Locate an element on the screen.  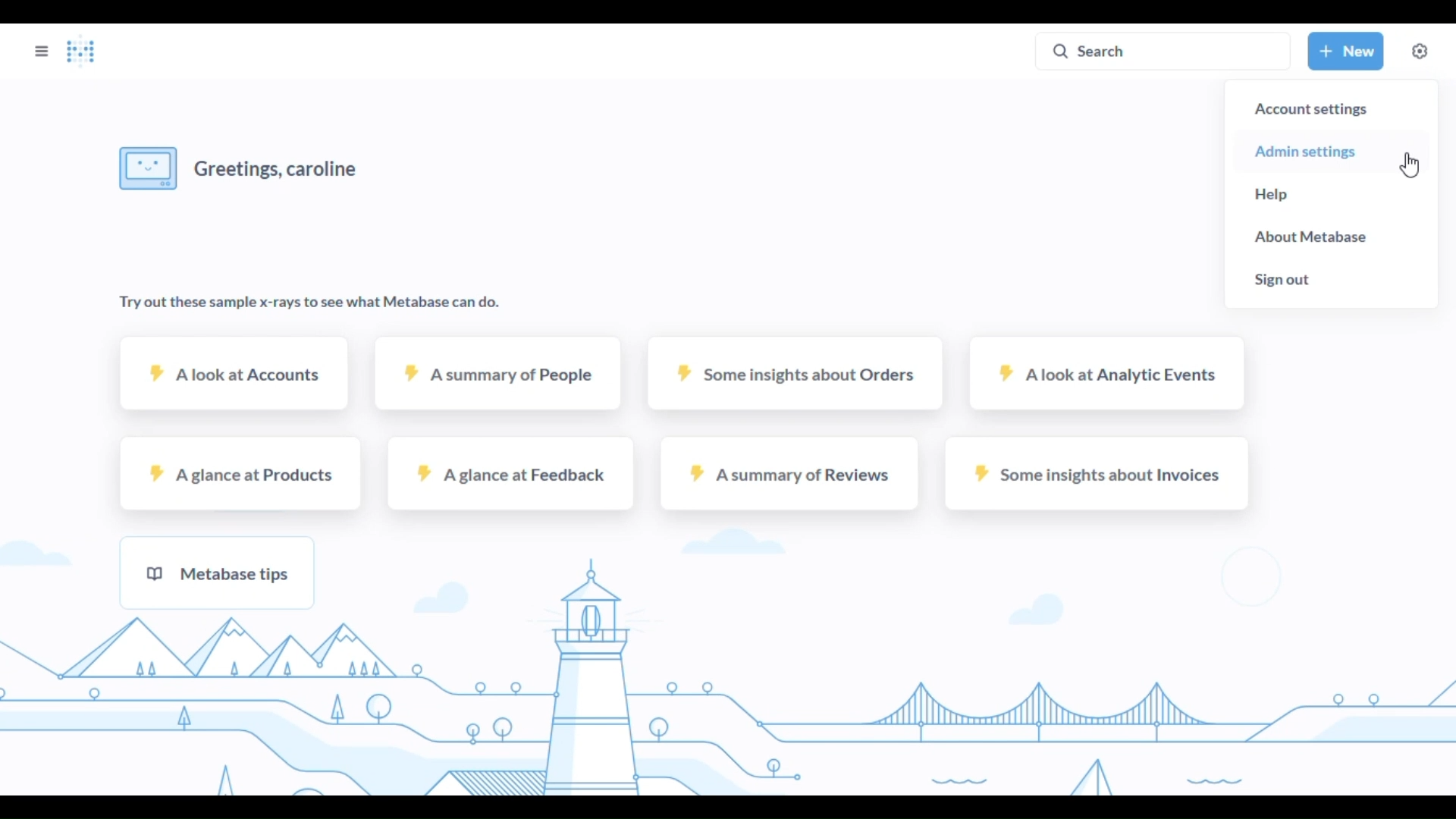
new is located at coordinates (1347, 50).